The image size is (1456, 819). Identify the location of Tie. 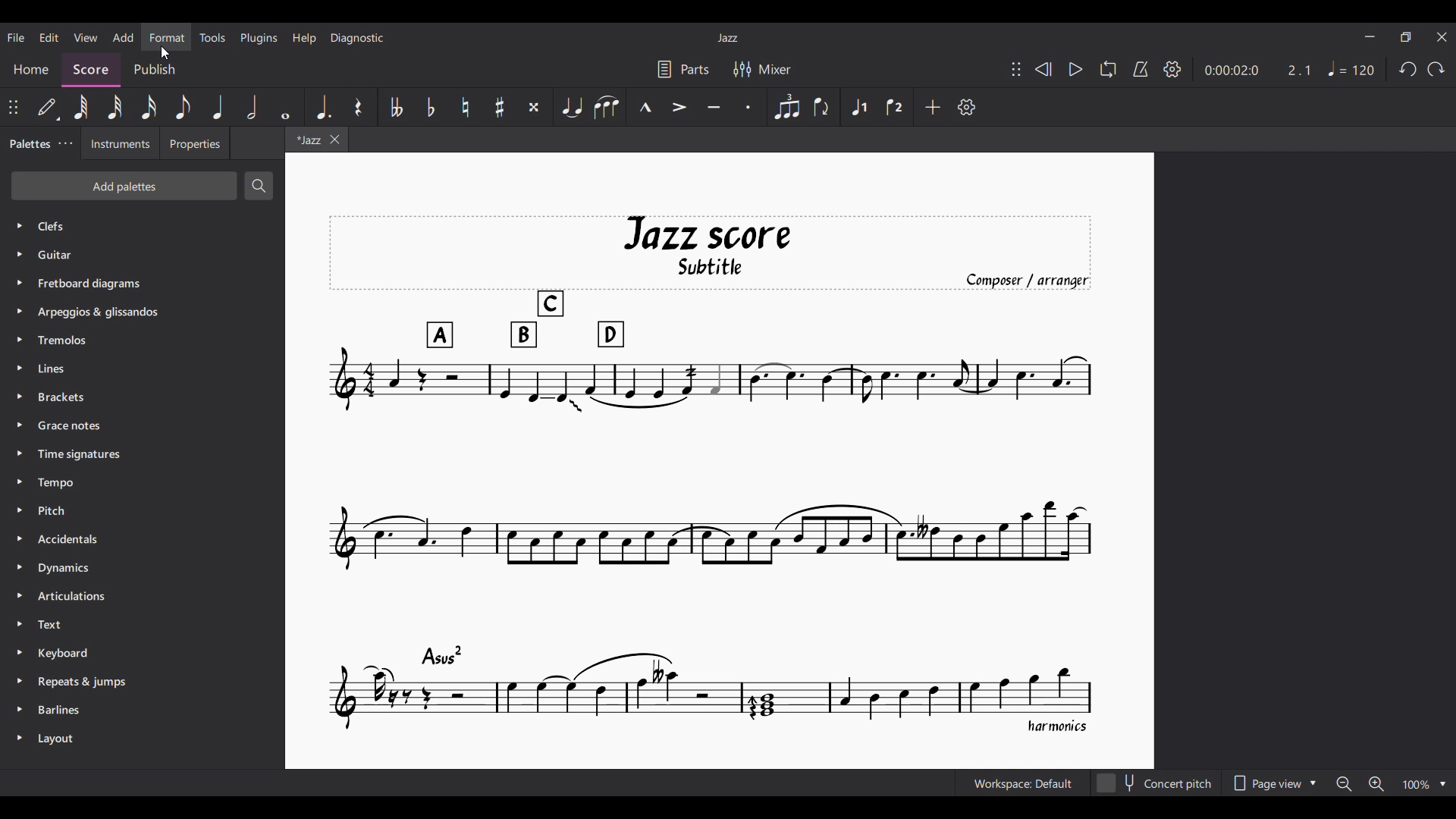
(572, 107).